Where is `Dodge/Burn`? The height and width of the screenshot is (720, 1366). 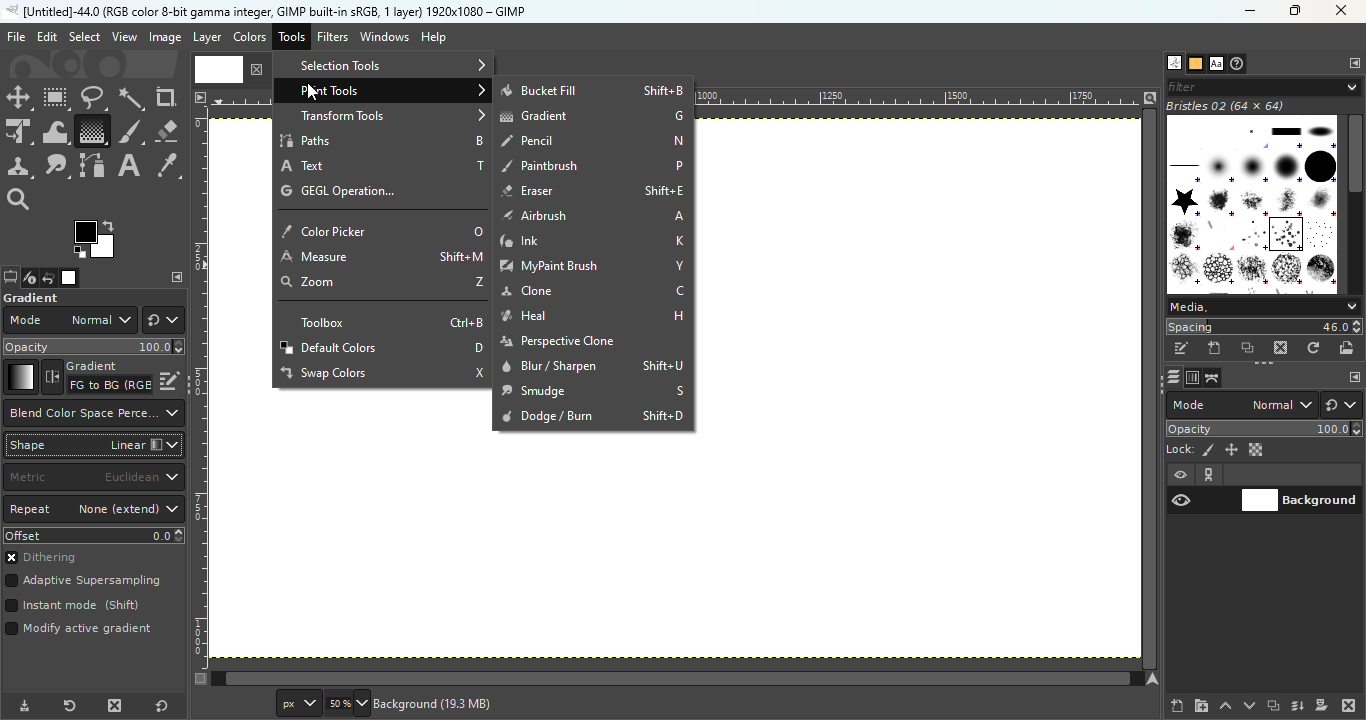
Dodge/Burn is located at coordinates (593, 414).